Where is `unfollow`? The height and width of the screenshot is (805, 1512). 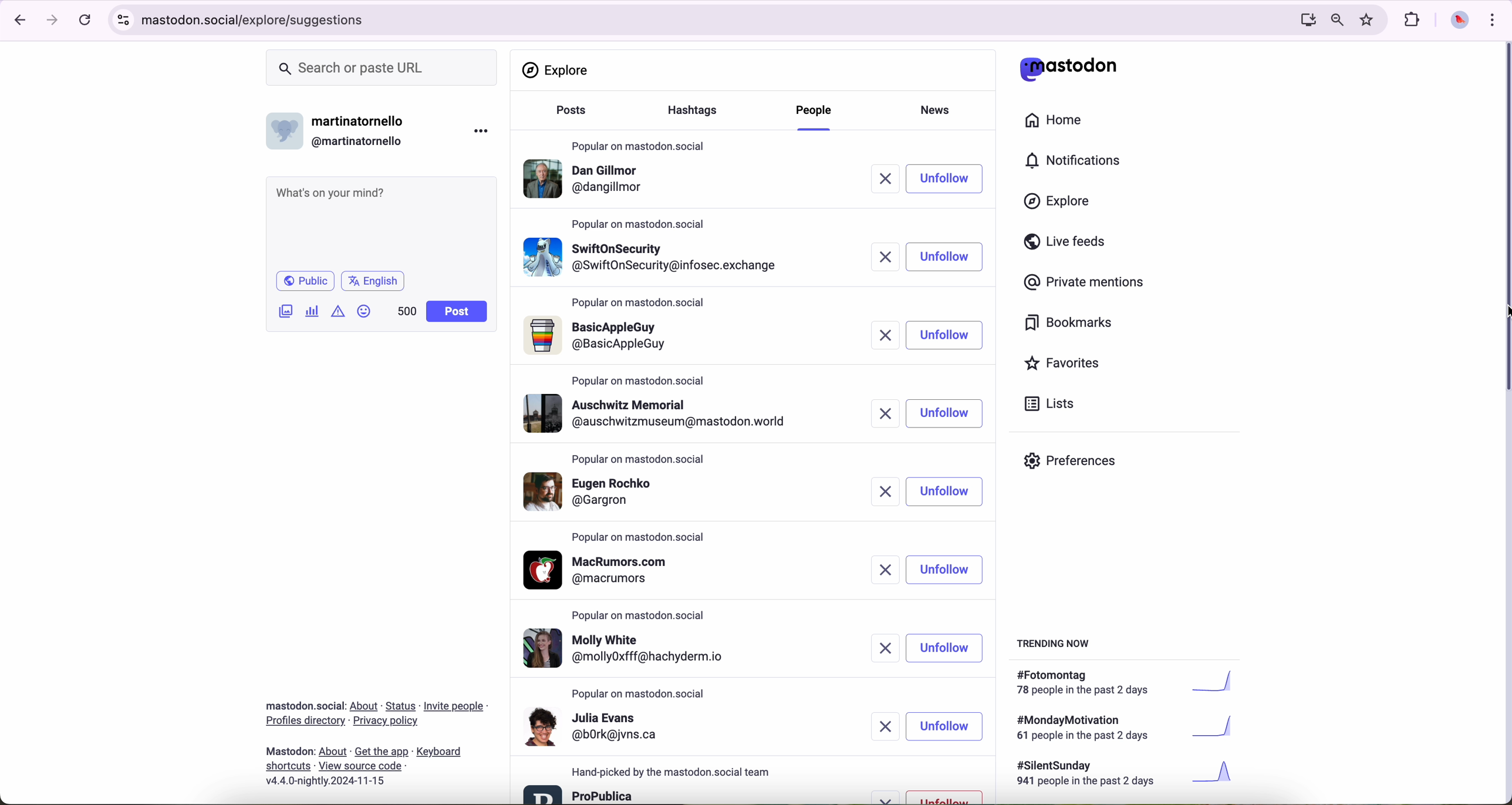
unfollow is located at coordinates (947, 492).